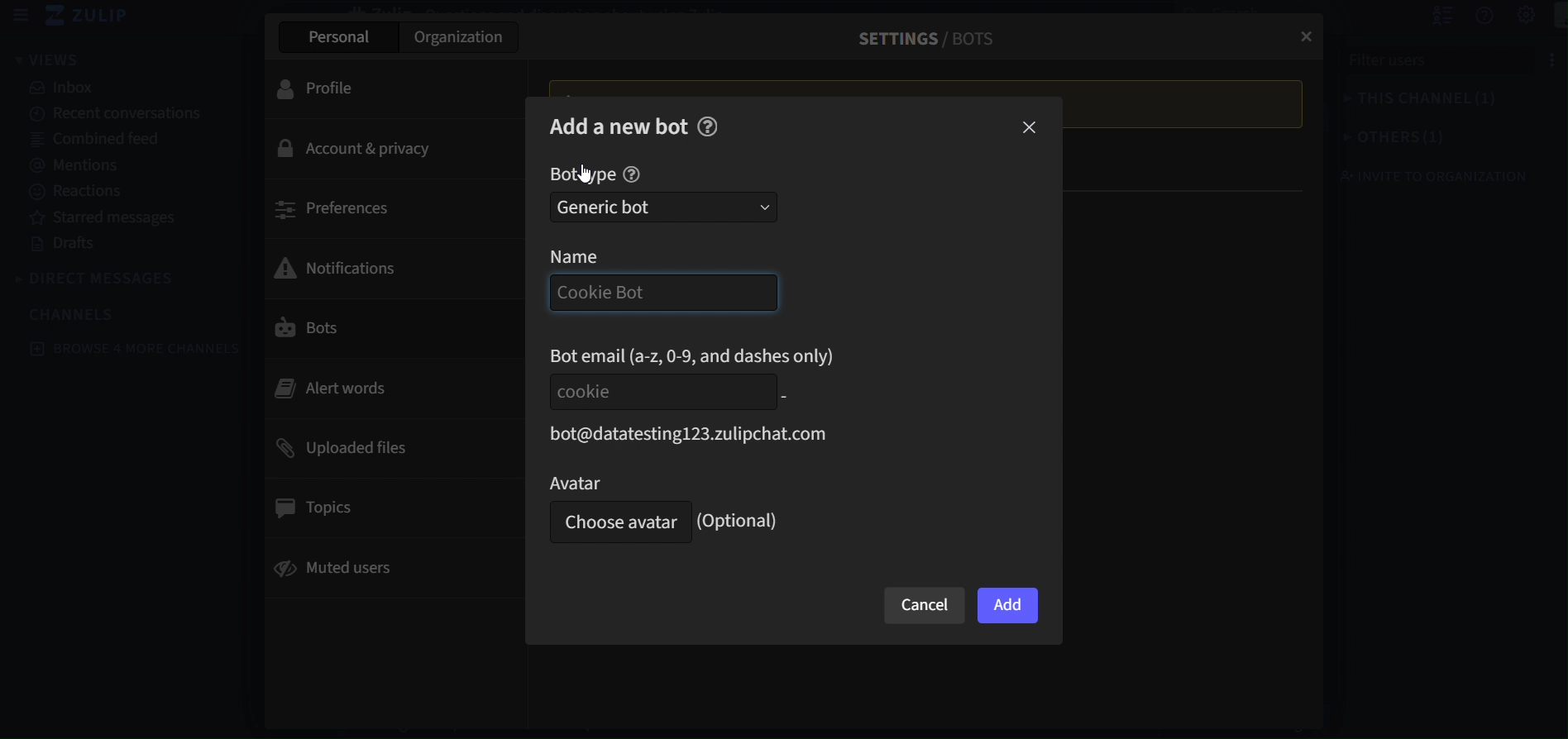 This screenshot has height=739, width=1568. I want to click on browse 4 more channels, so click(138, 348).